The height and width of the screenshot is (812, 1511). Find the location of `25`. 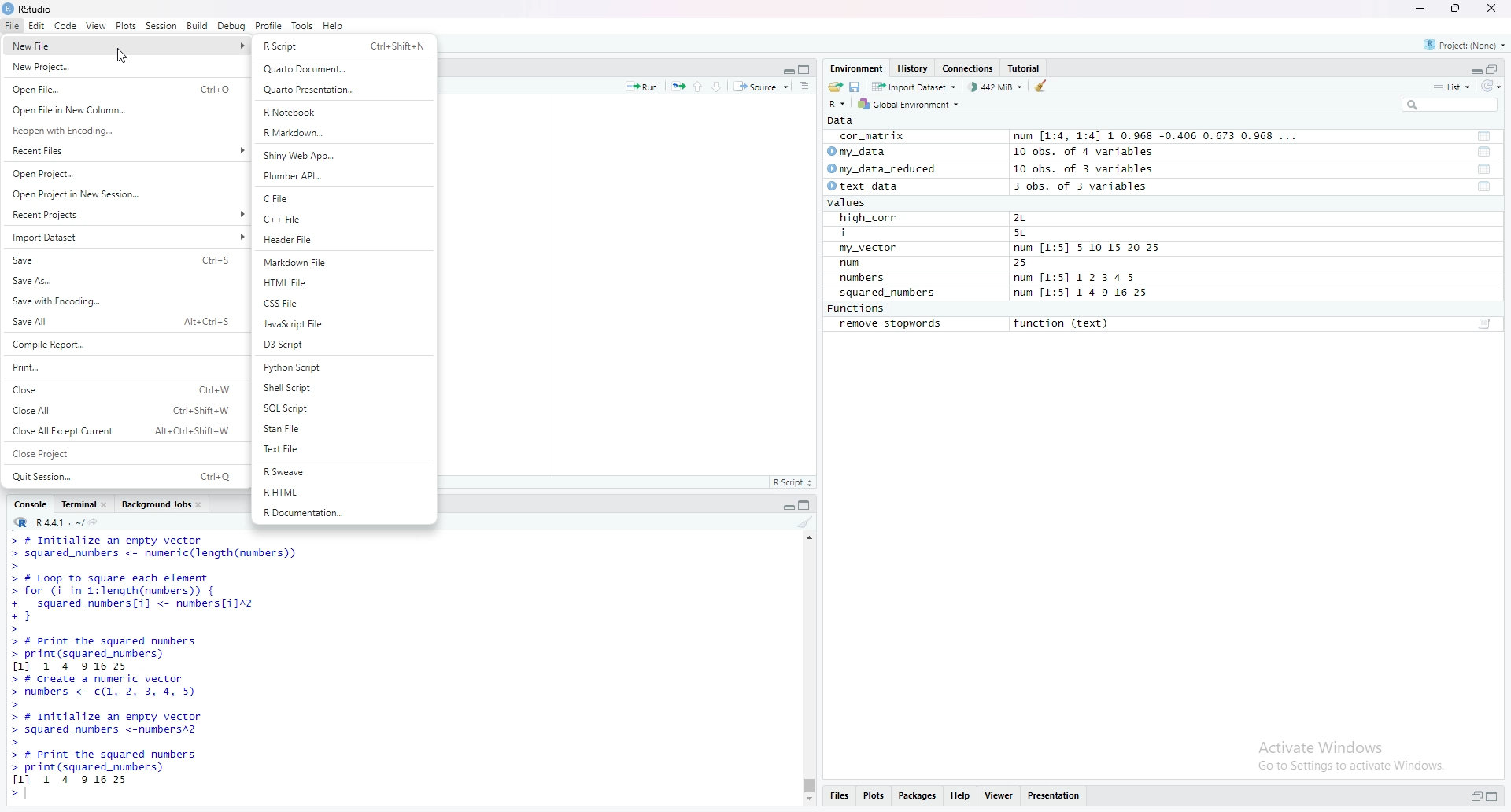

25 is located at coordinates (1037, 263).